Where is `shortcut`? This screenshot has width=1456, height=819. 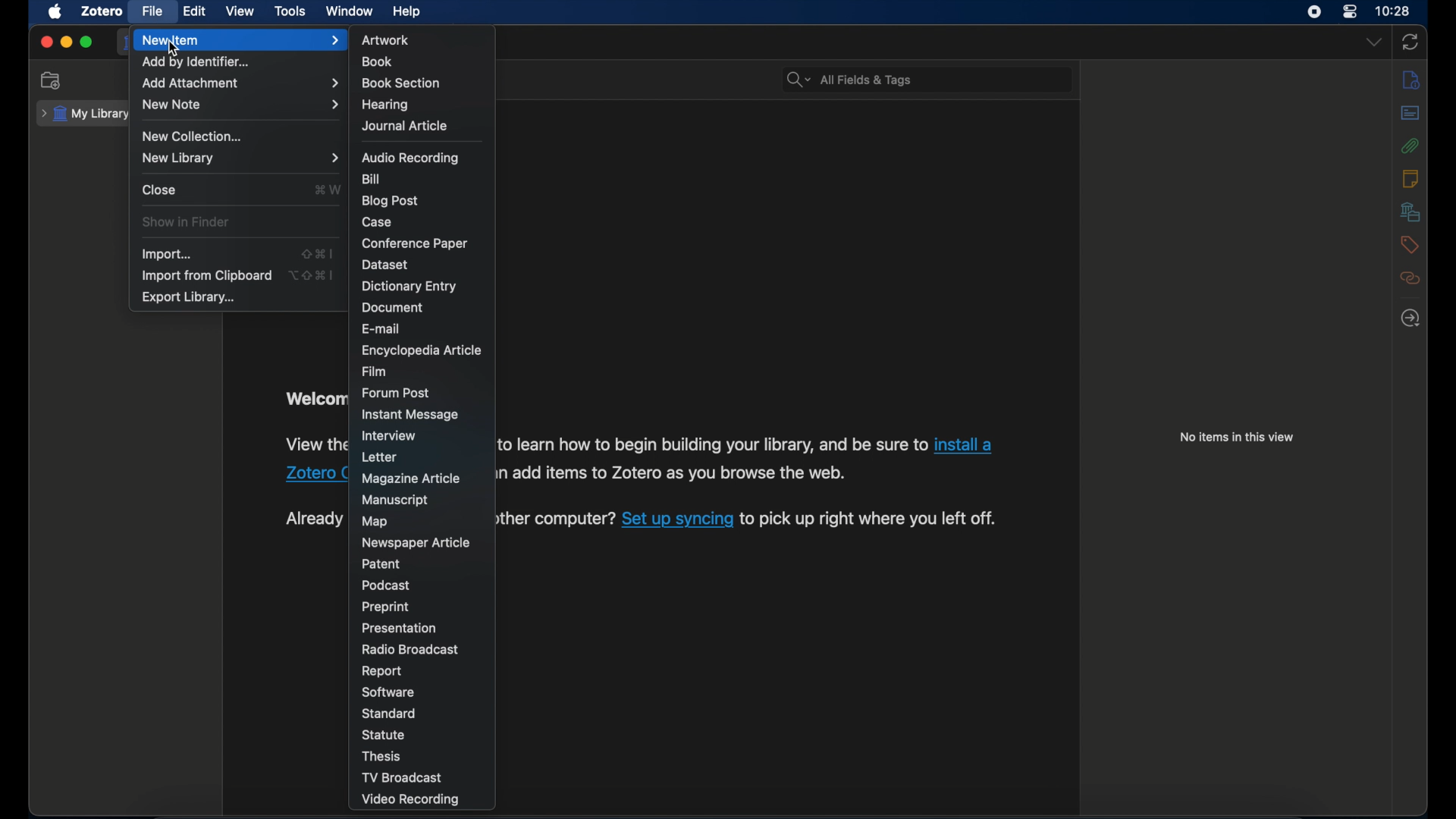
shortcut is located at coordinates (325, 189).